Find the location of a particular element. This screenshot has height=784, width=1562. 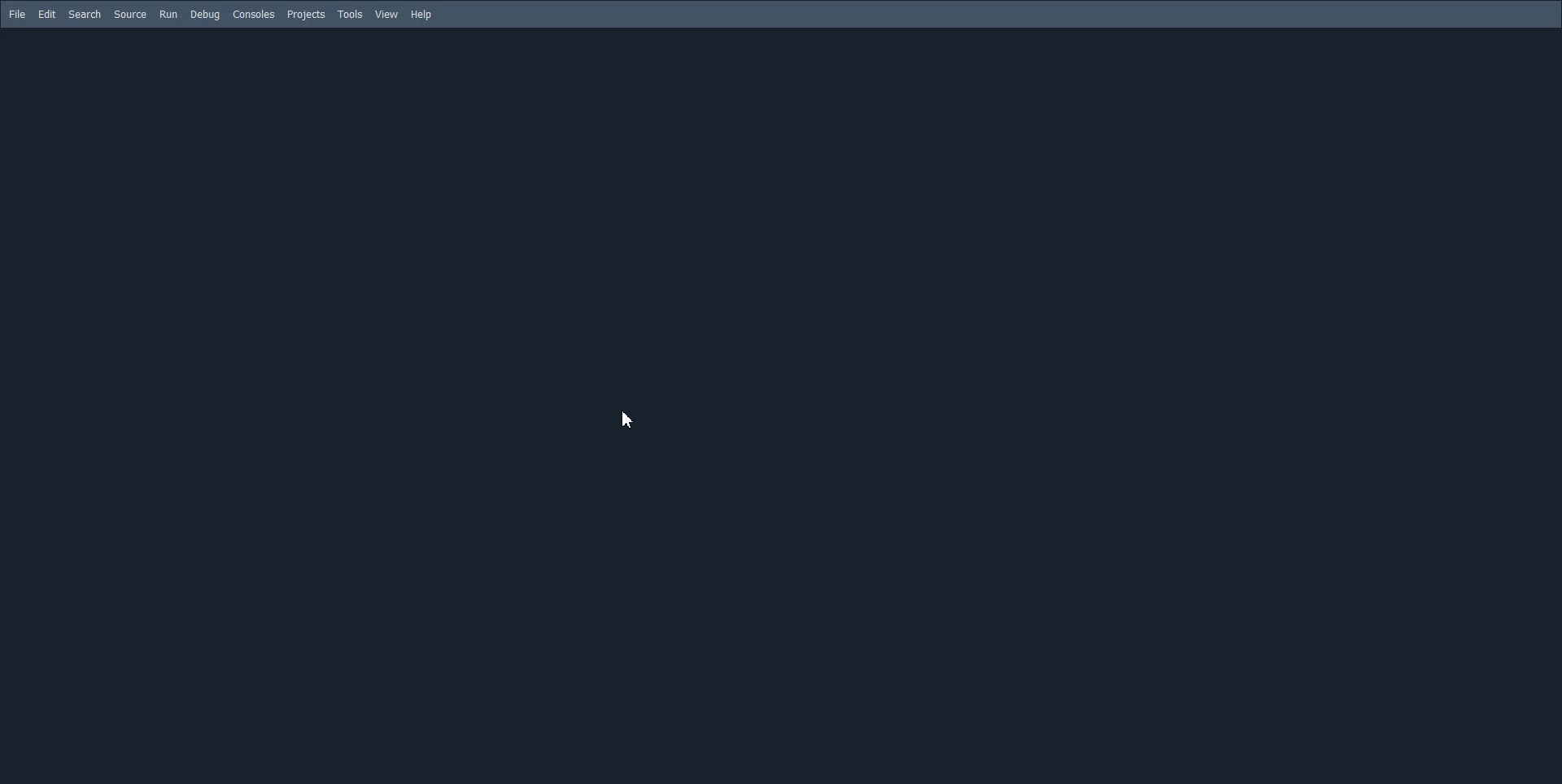

Debug is located at coordinates (205, 15).